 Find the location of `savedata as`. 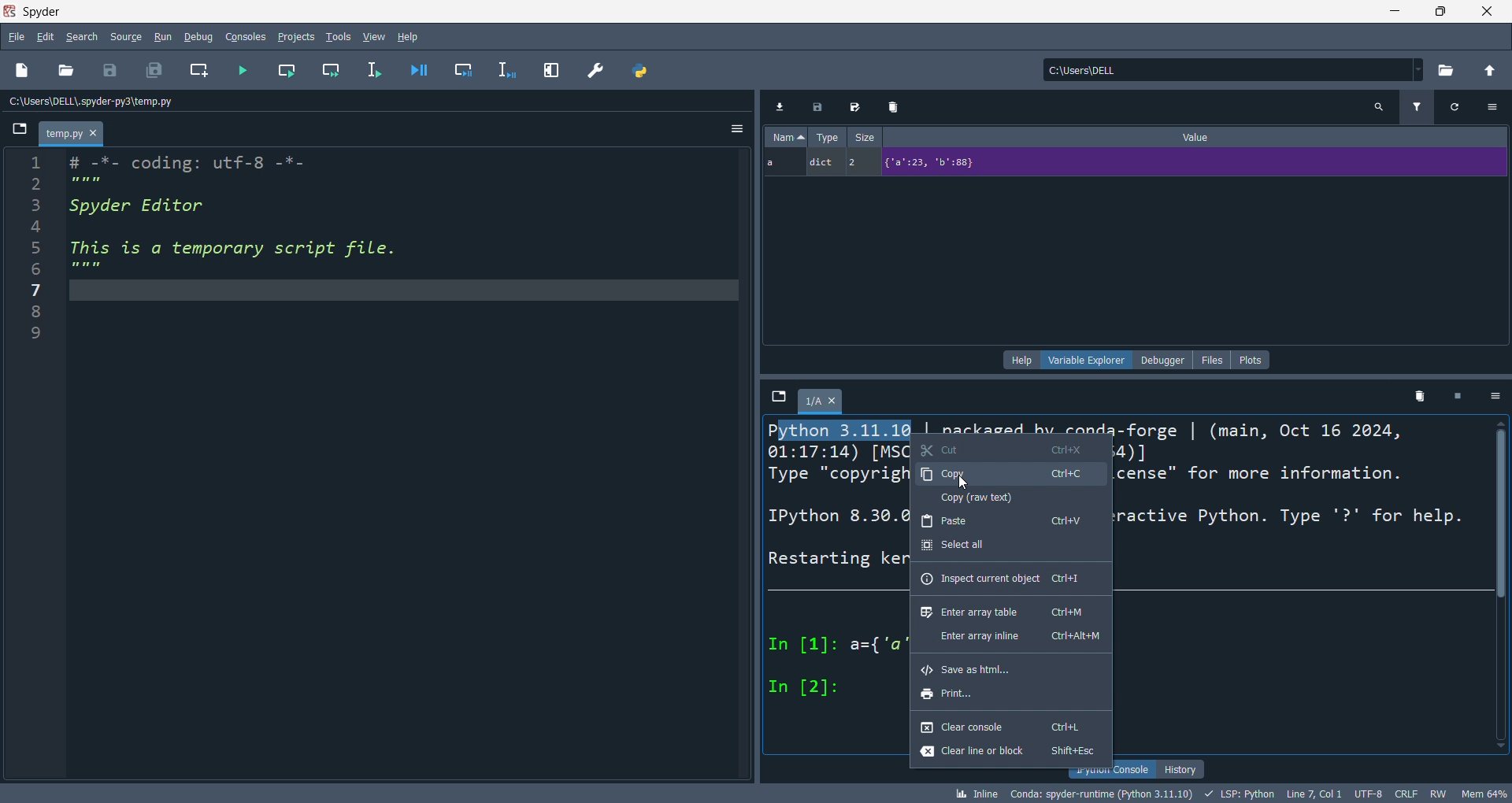

savedata as is located at coordinates (858, 105).